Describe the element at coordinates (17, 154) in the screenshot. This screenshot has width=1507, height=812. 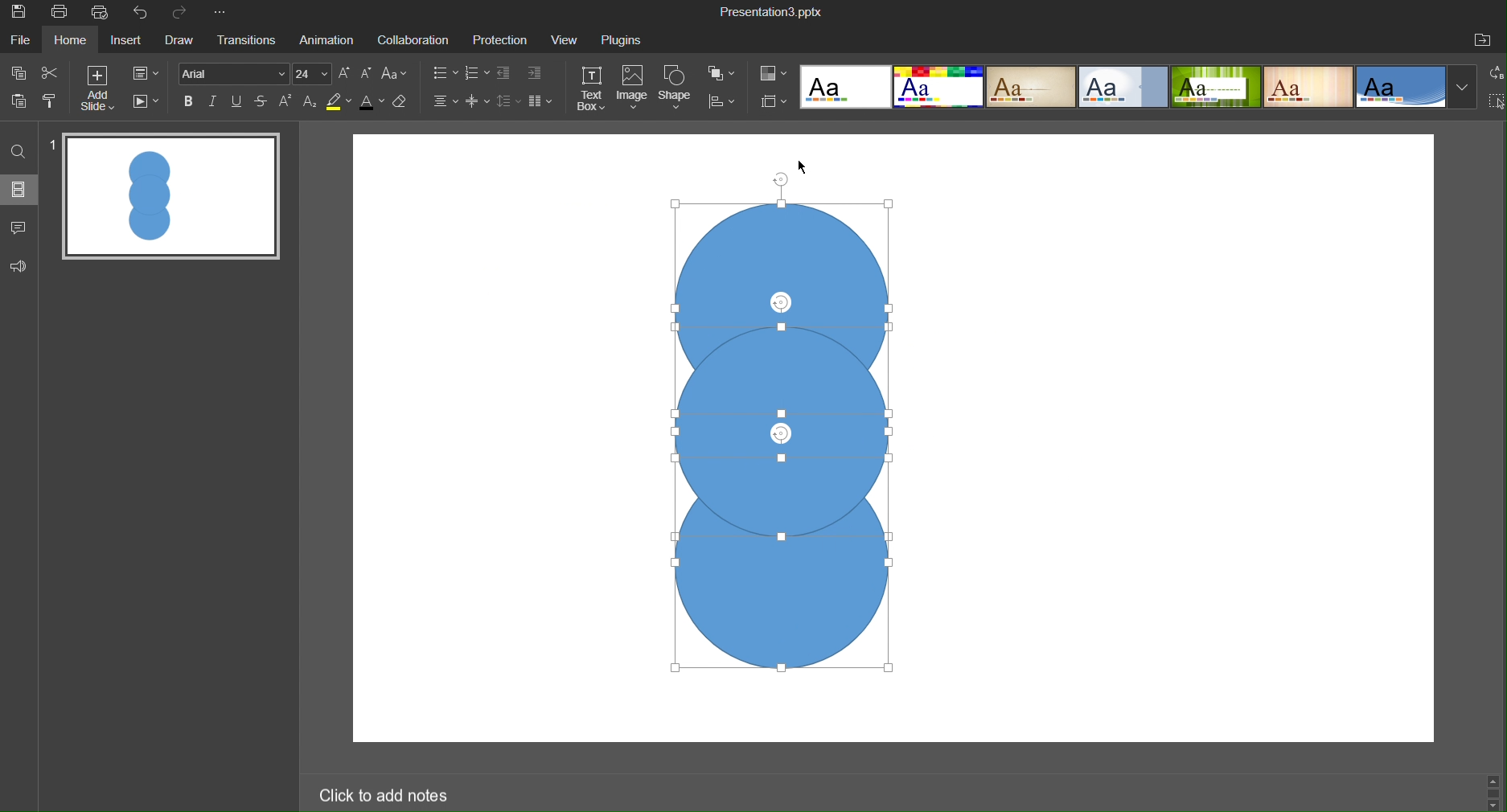
I see `Find` at that location.